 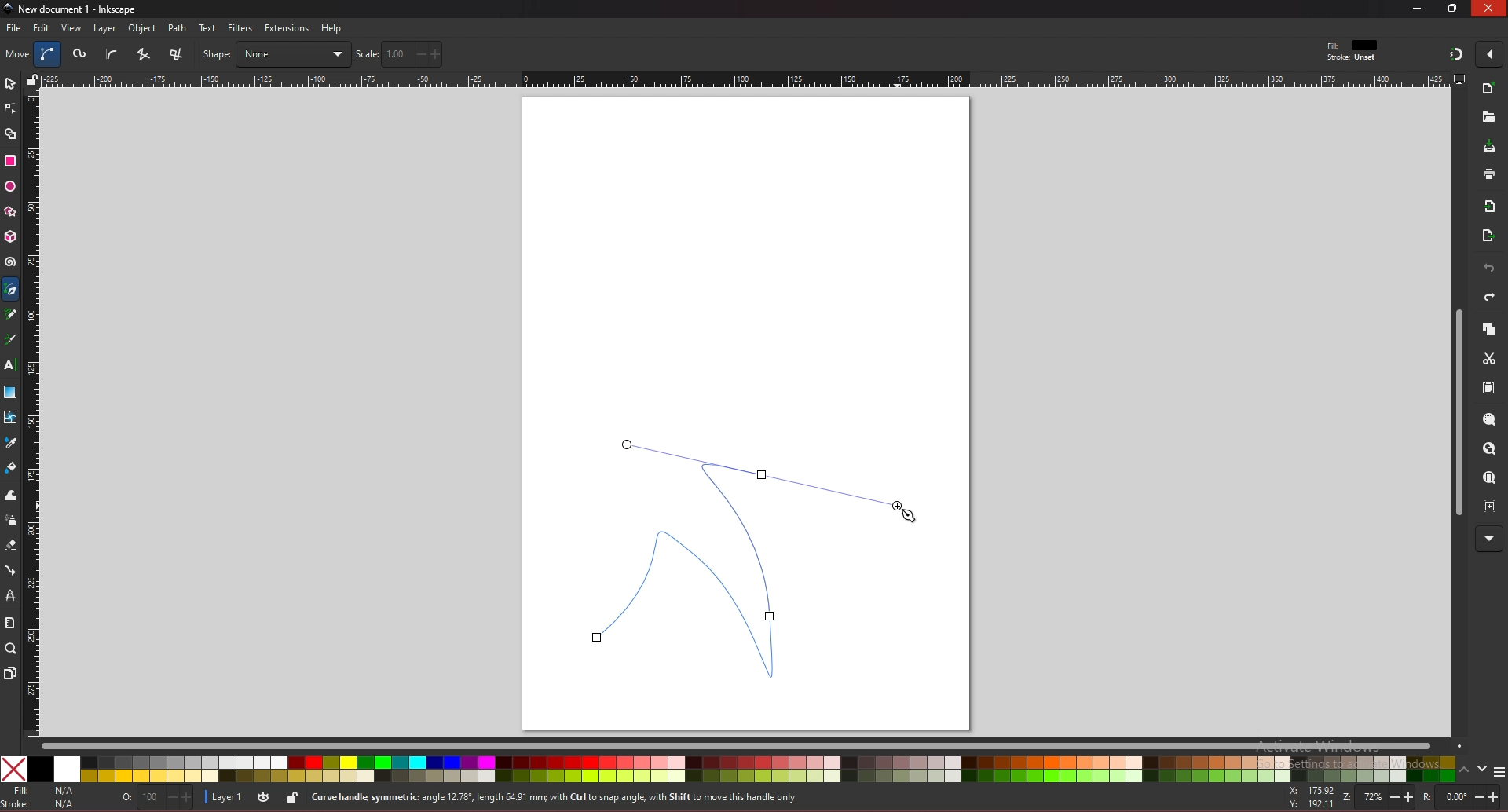 I want to click on up, so click(x=1465, y=772).